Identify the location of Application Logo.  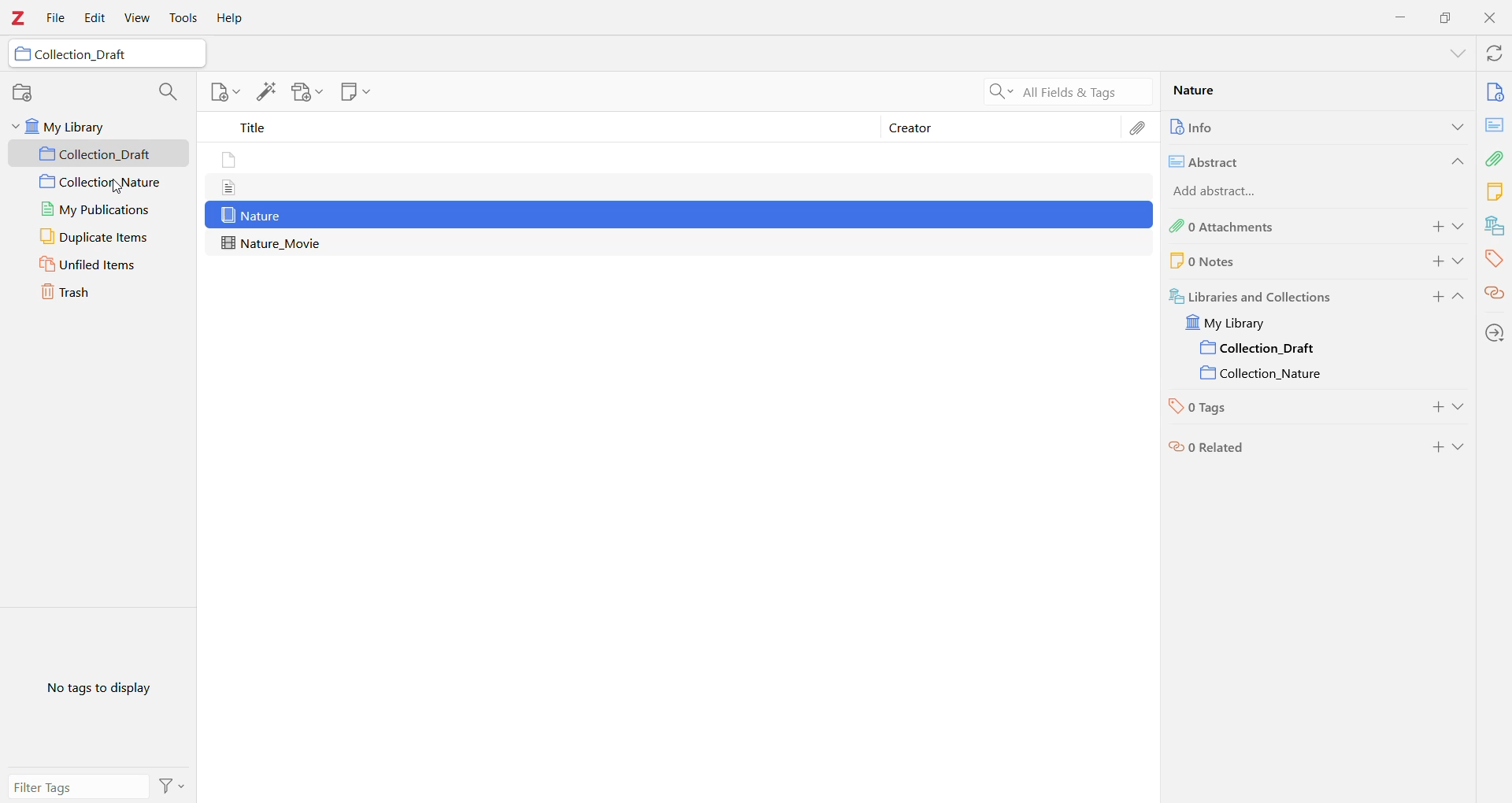
(19, 18).